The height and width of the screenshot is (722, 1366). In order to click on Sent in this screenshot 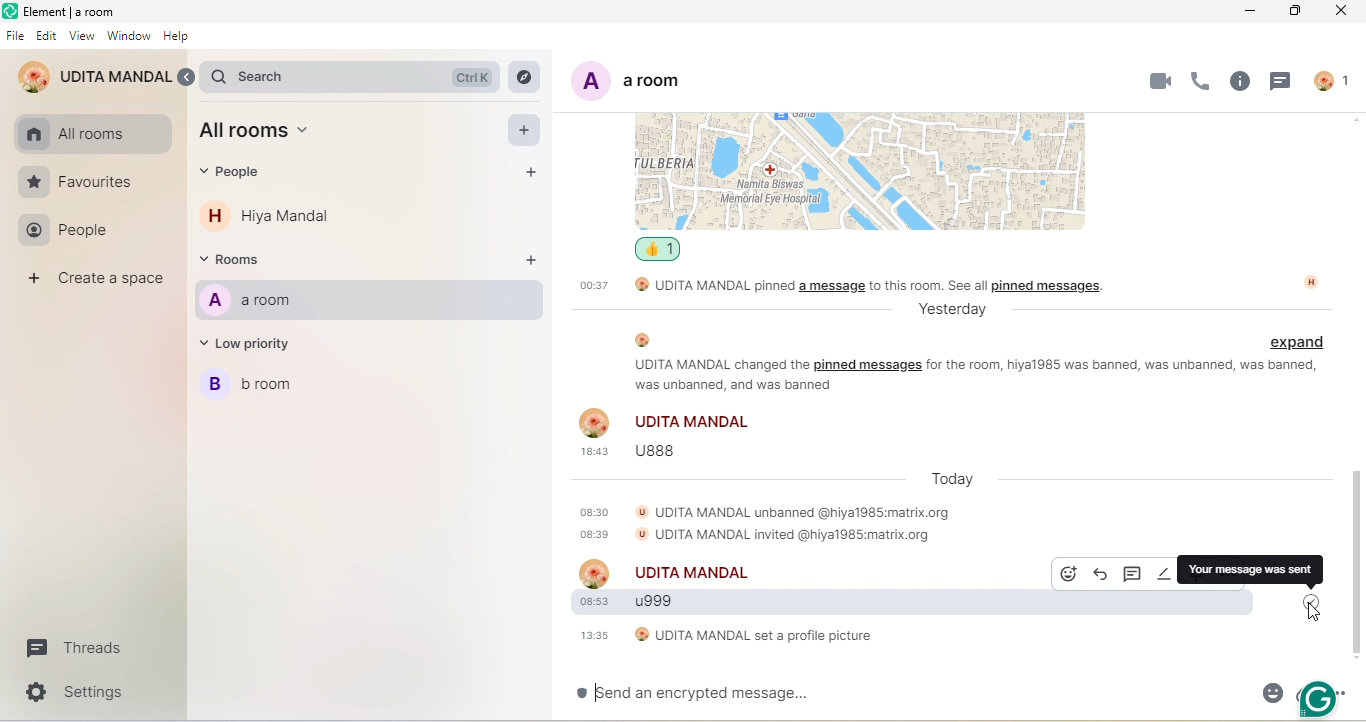, I will do `click(1313, 599)`.